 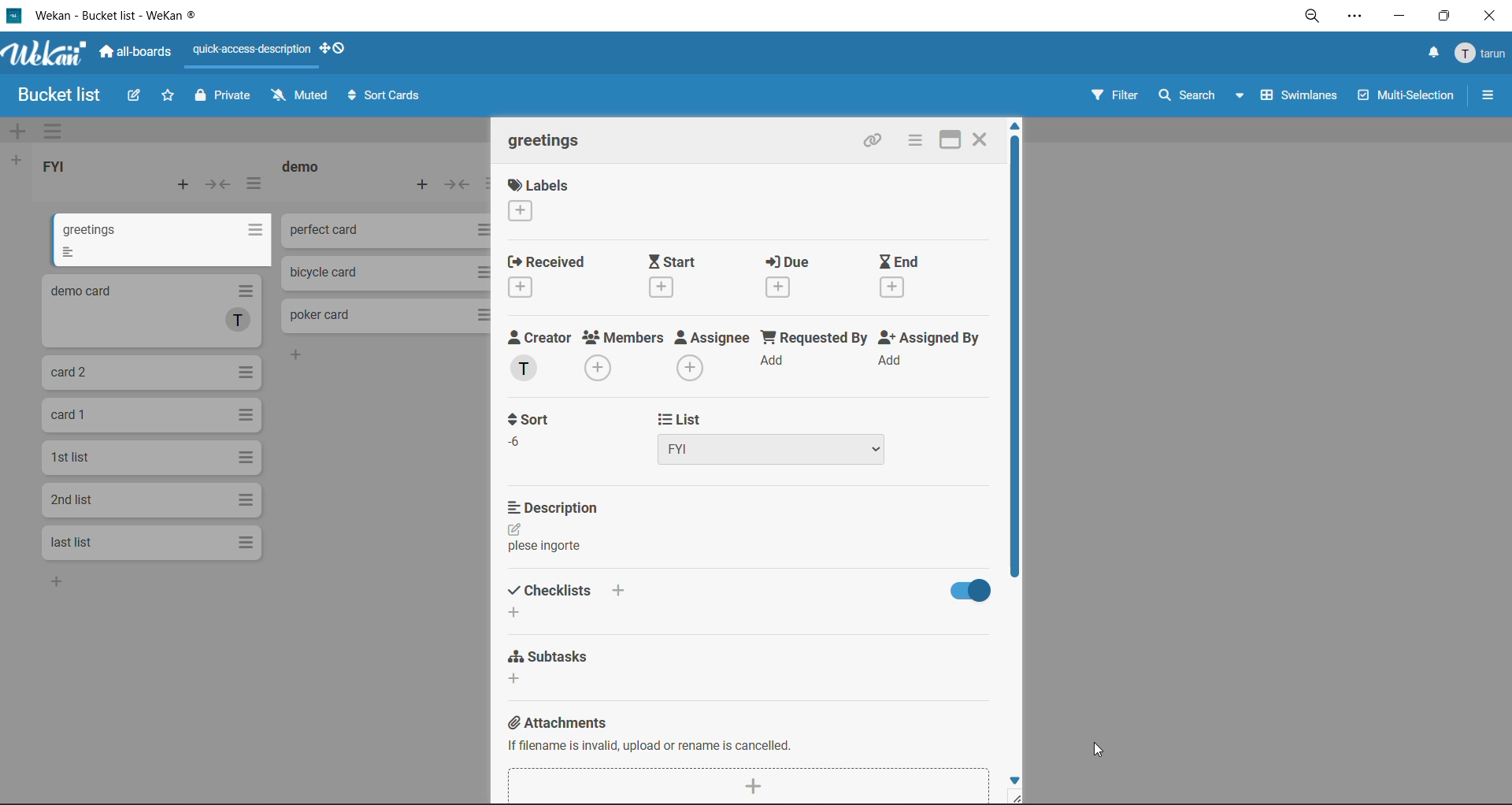 What do you see at coordinates (135, 98) in the screenshot?
I see `edit` at bounding box center [135, 98].